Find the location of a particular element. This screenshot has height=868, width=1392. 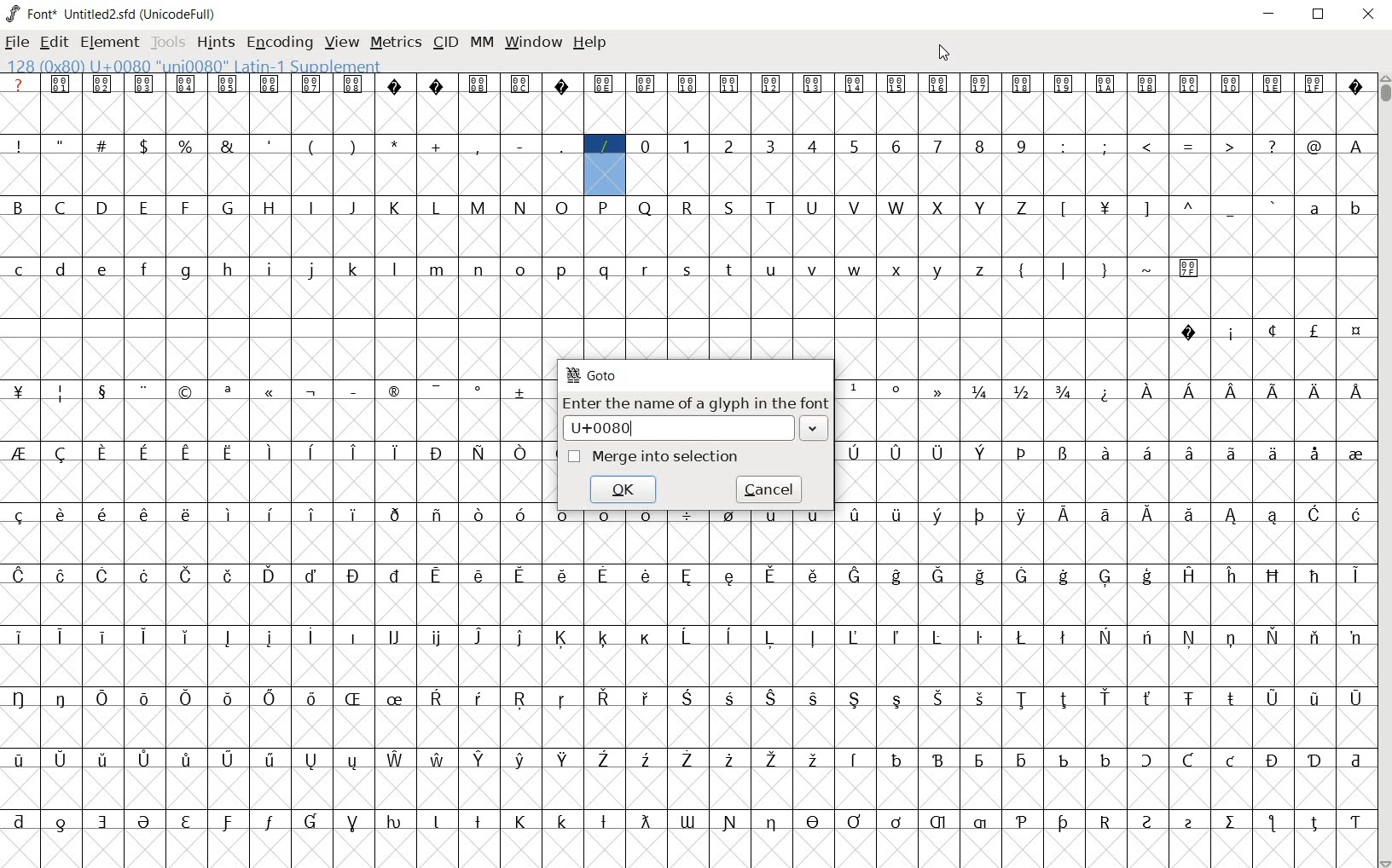

glyph is located at coordinates (937, 454).